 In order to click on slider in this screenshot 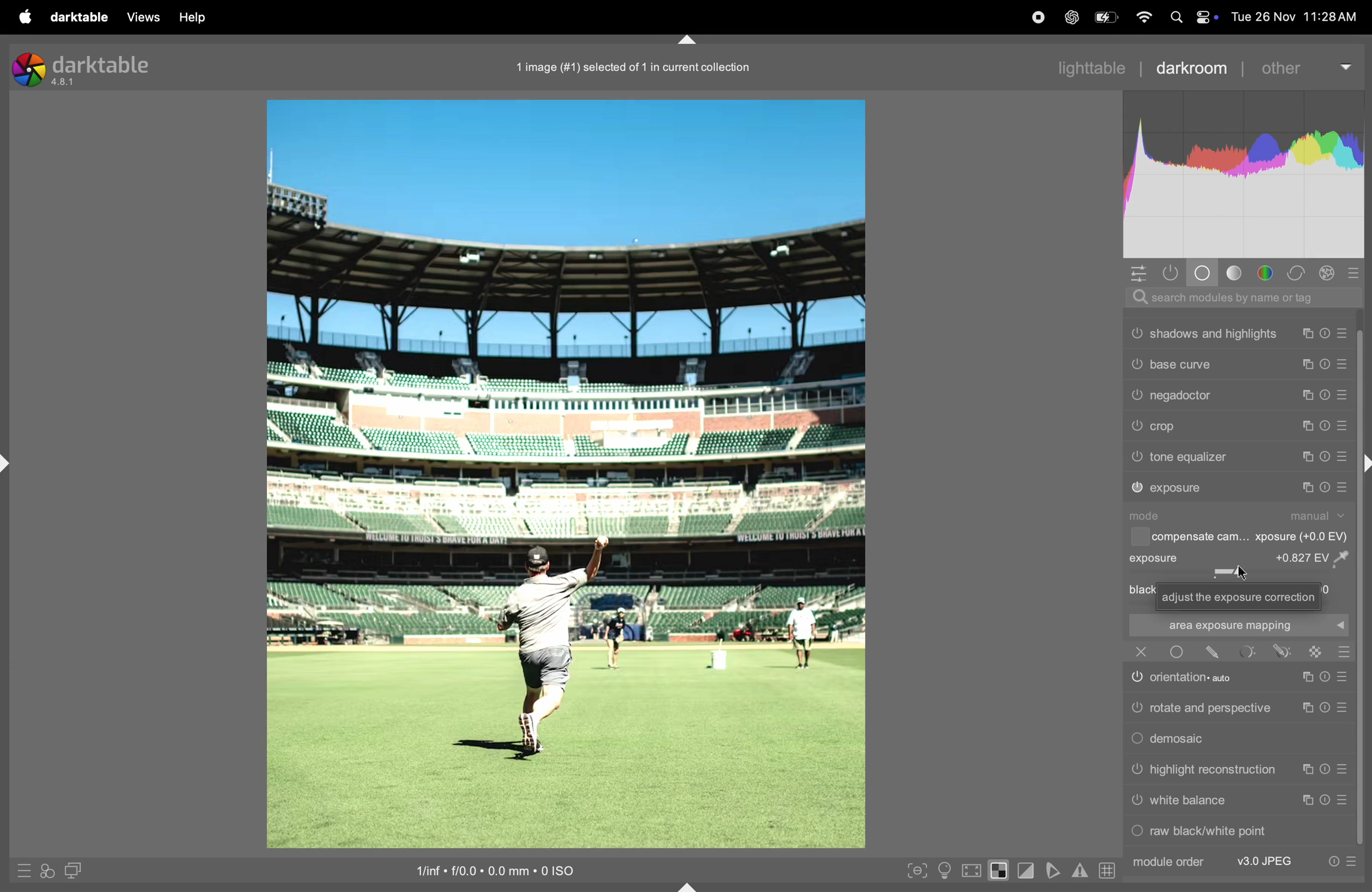, I will do `click(1238, 572)`.